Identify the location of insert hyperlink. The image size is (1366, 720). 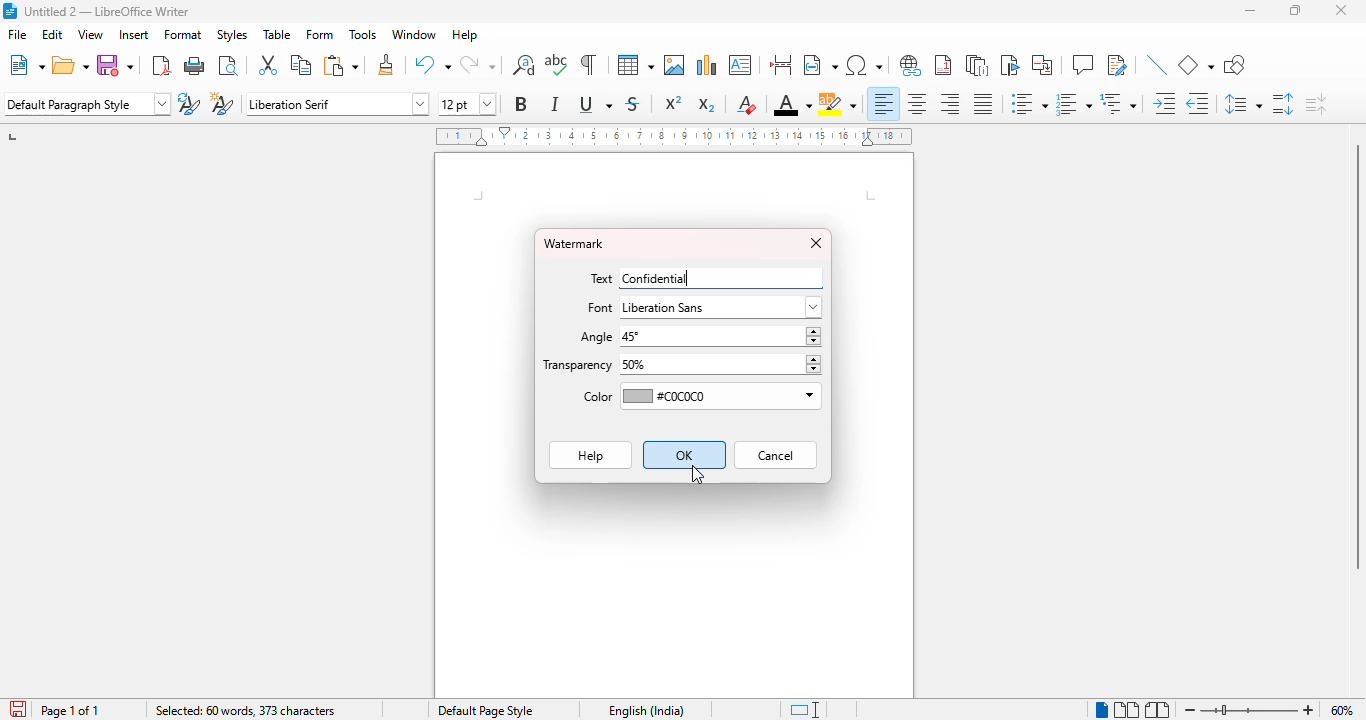
(911, 65).